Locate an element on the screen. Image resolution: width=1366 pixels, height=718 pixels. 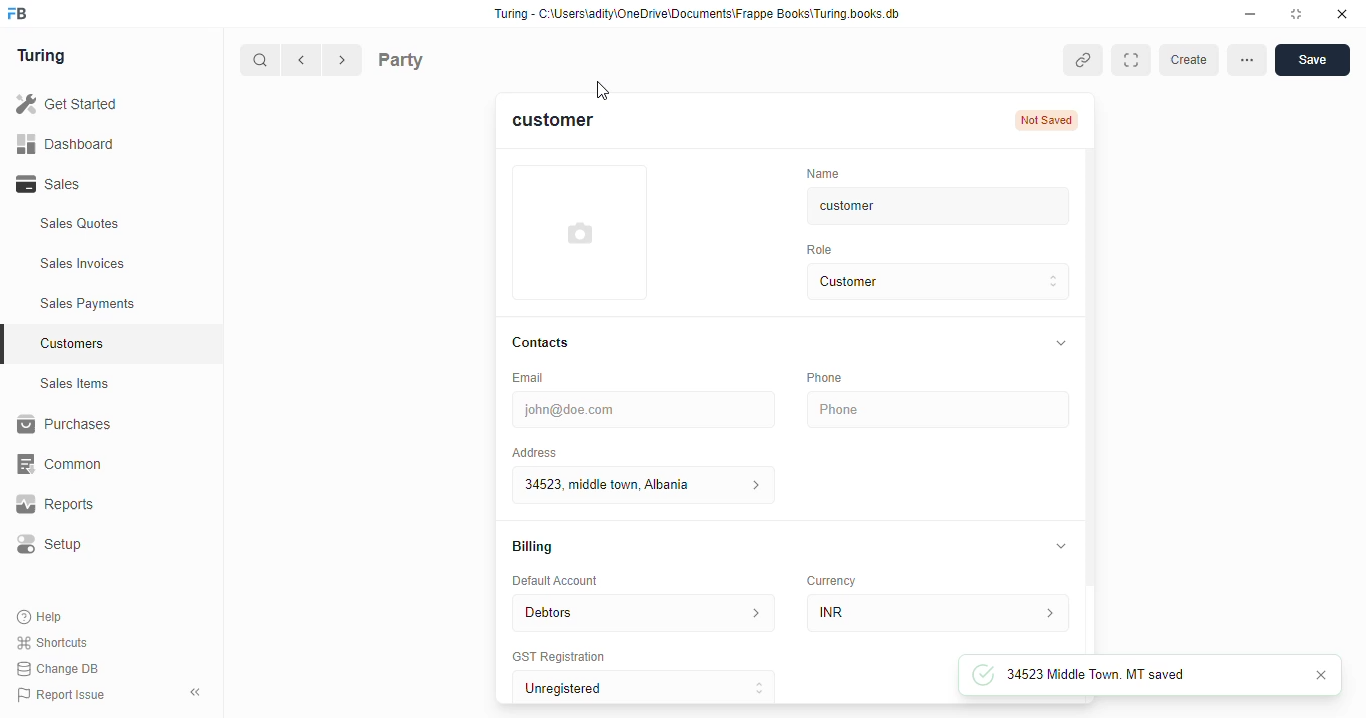
Debtors is located at coordinates (640, 611).